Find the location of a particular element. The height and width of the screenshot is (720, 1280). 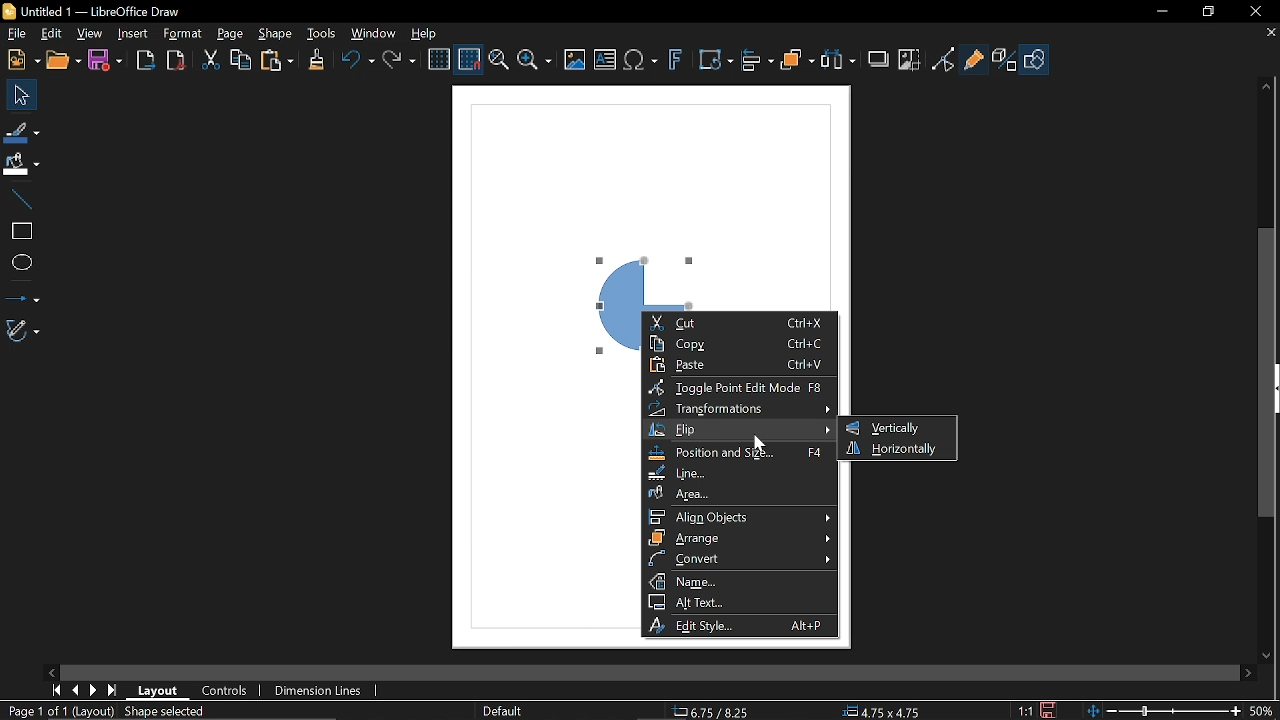

Toggle is located at coordinates (943, 59).